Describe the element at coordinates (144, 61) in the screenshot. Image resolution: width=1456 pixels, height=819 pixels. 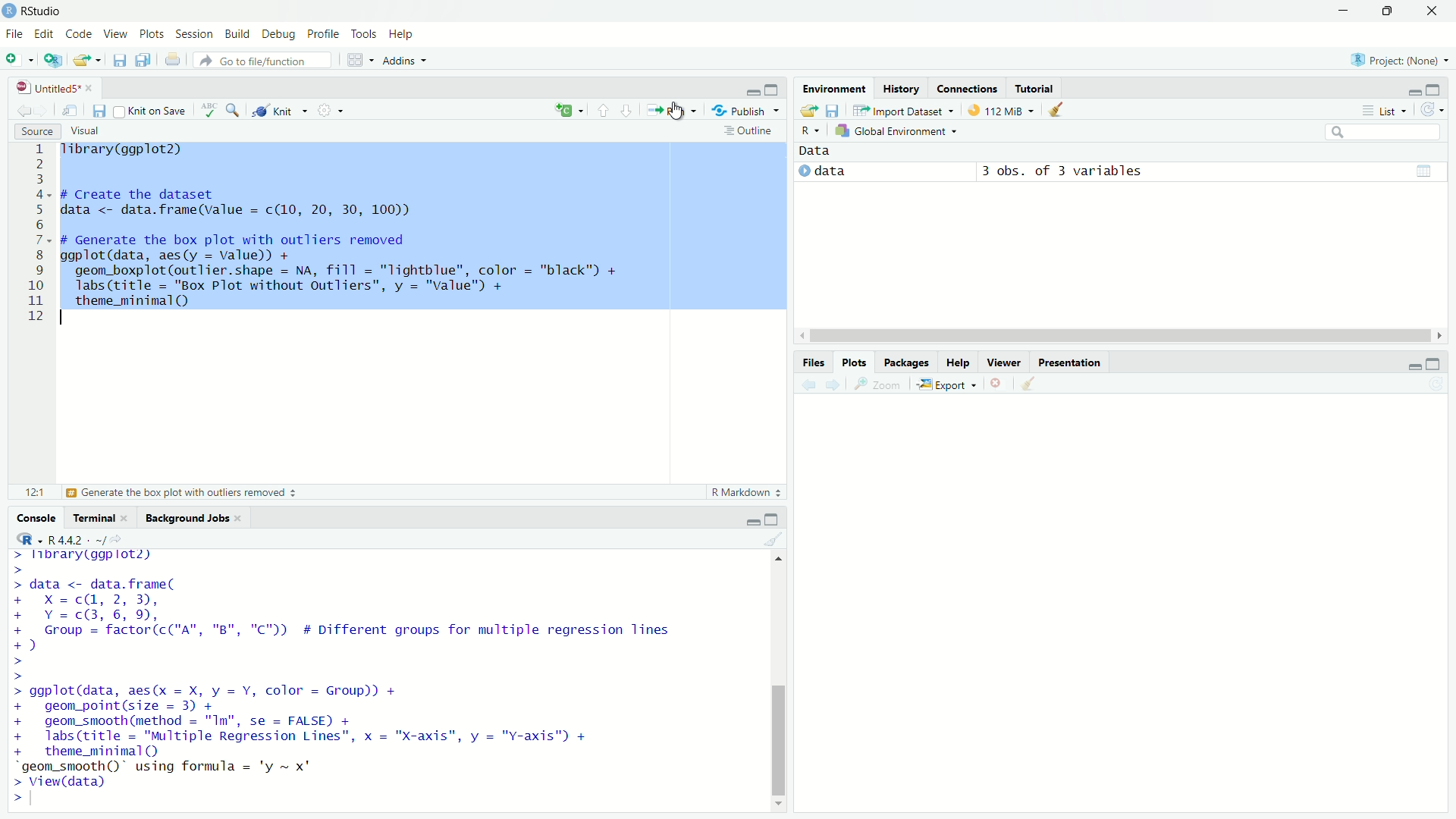
I see `copy` at that location.